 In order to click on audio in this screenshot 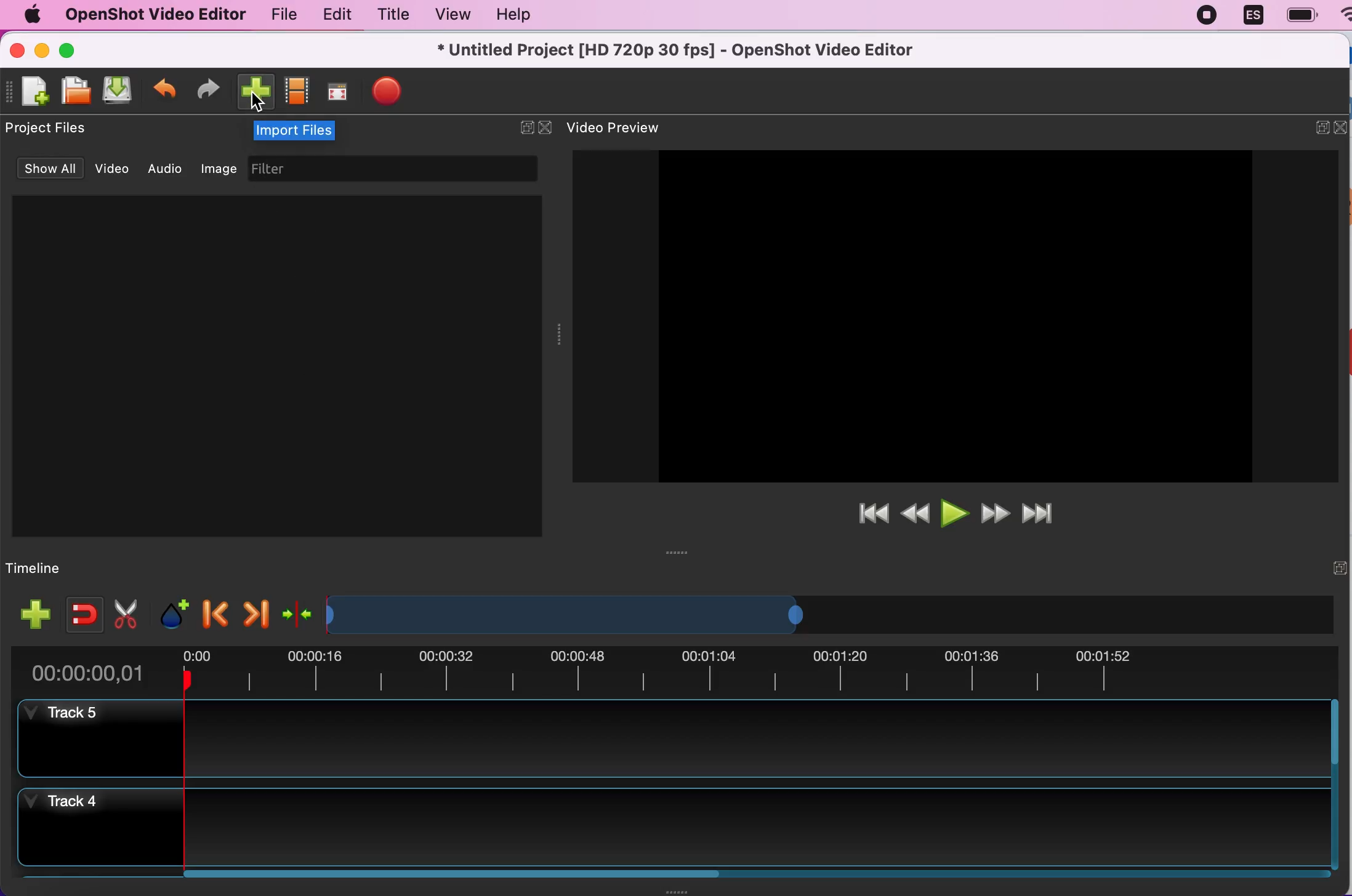, I will do `click(167, 170)`.